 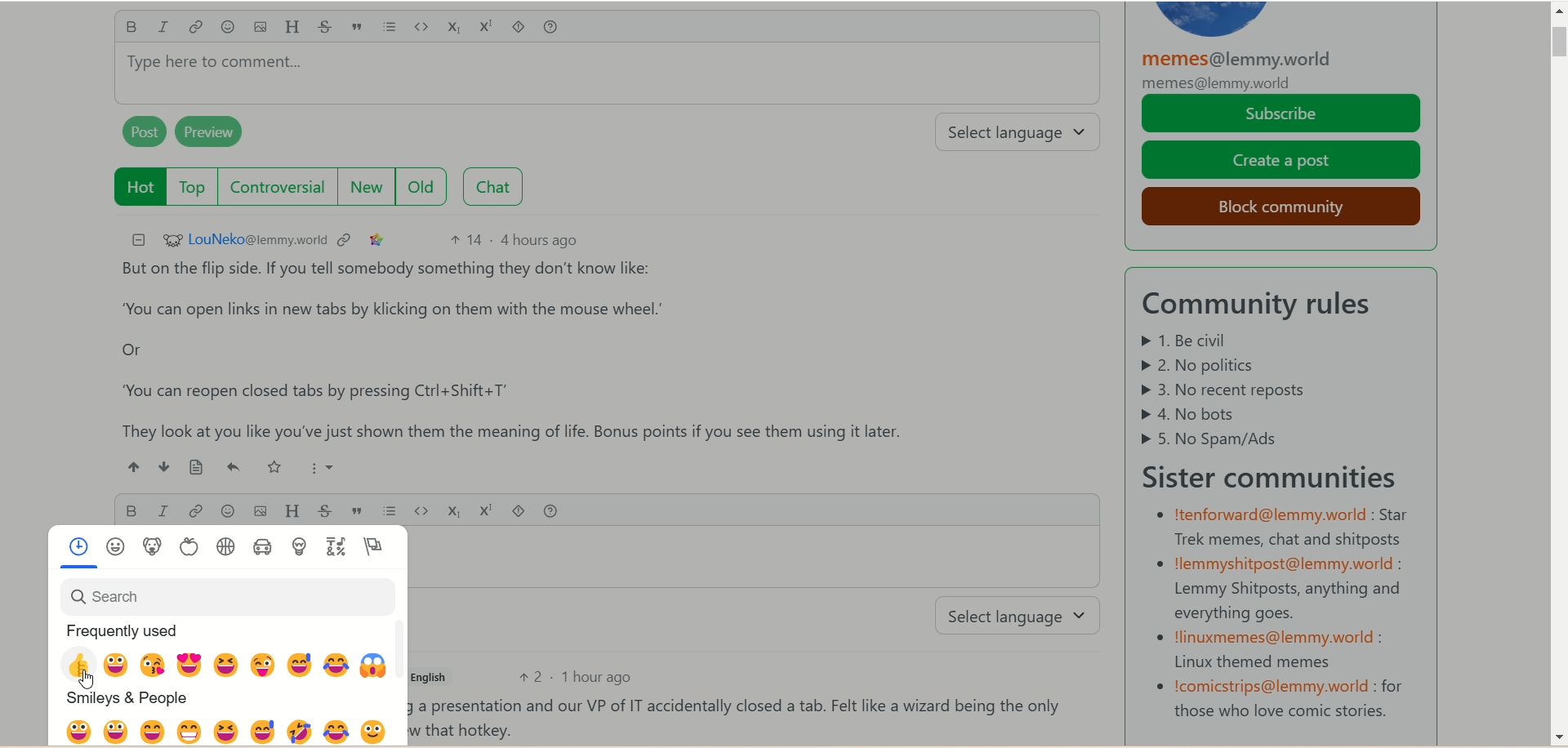 What do you see at coordinates (429, 188) in the screenshot?
I see `old` at bounding box center [429, 188].